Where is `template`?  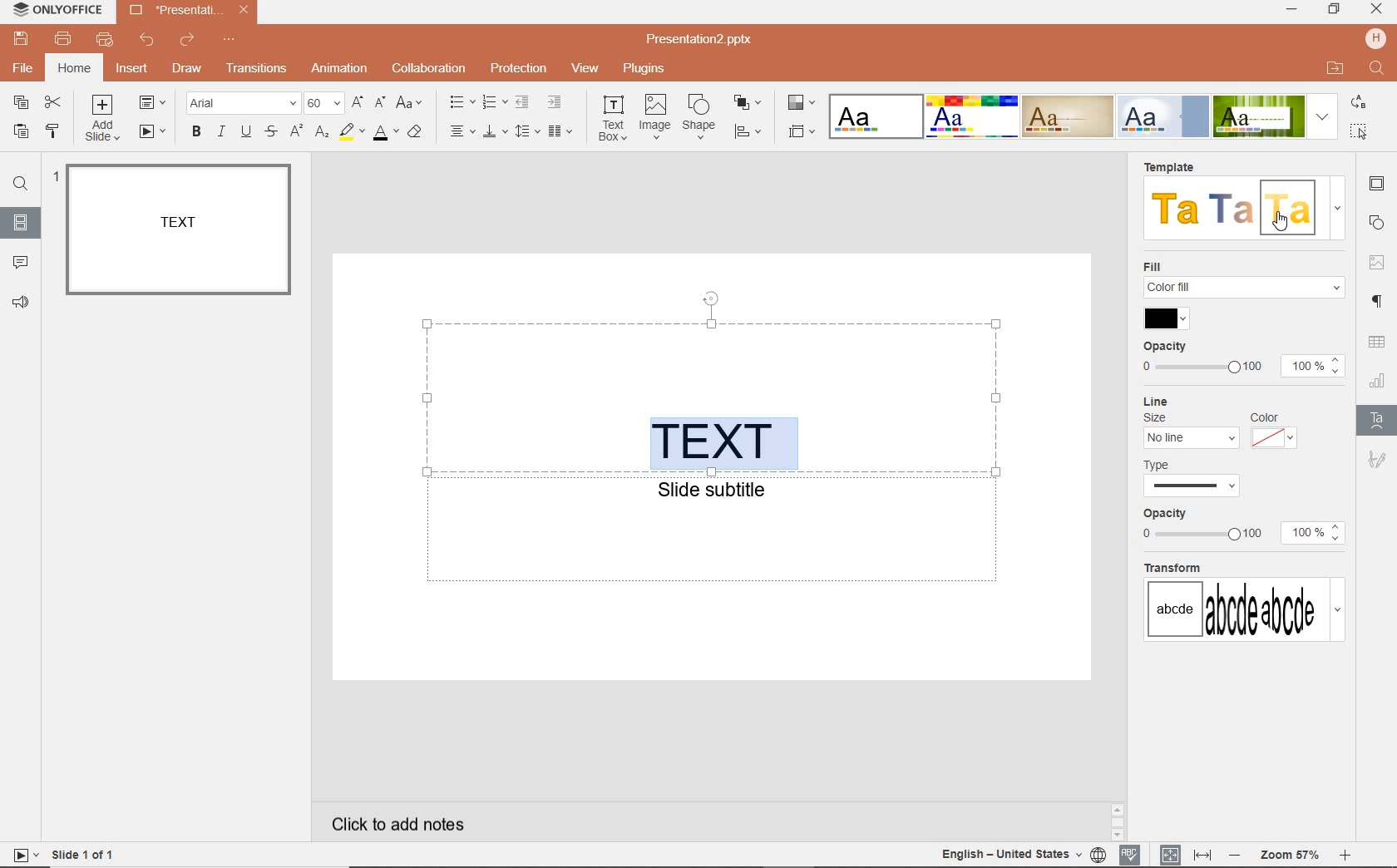 template is located at coordinates (1167, 166).